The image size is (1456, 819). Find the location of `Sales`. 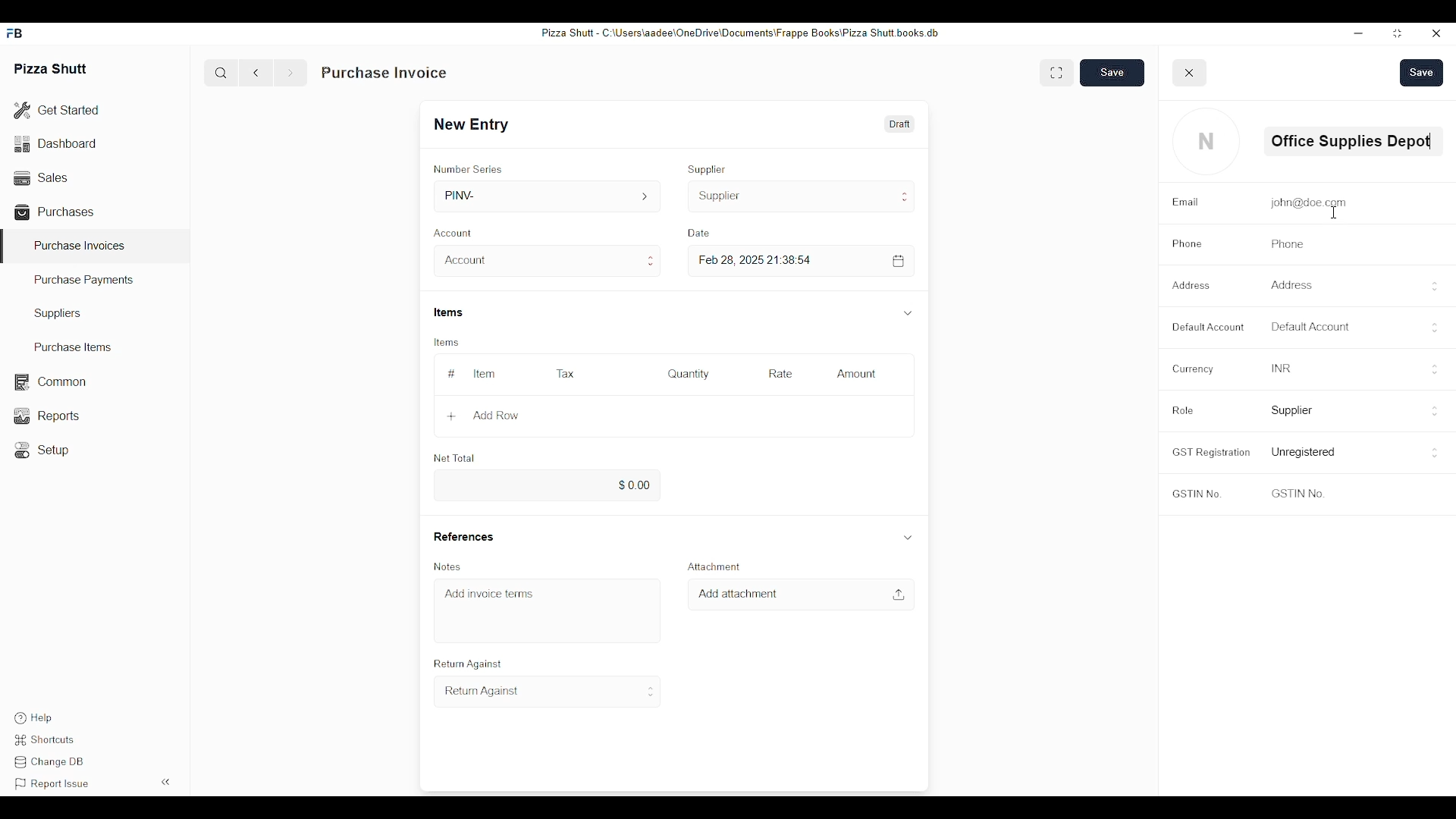

Sales is located at coordinates (39, 176).